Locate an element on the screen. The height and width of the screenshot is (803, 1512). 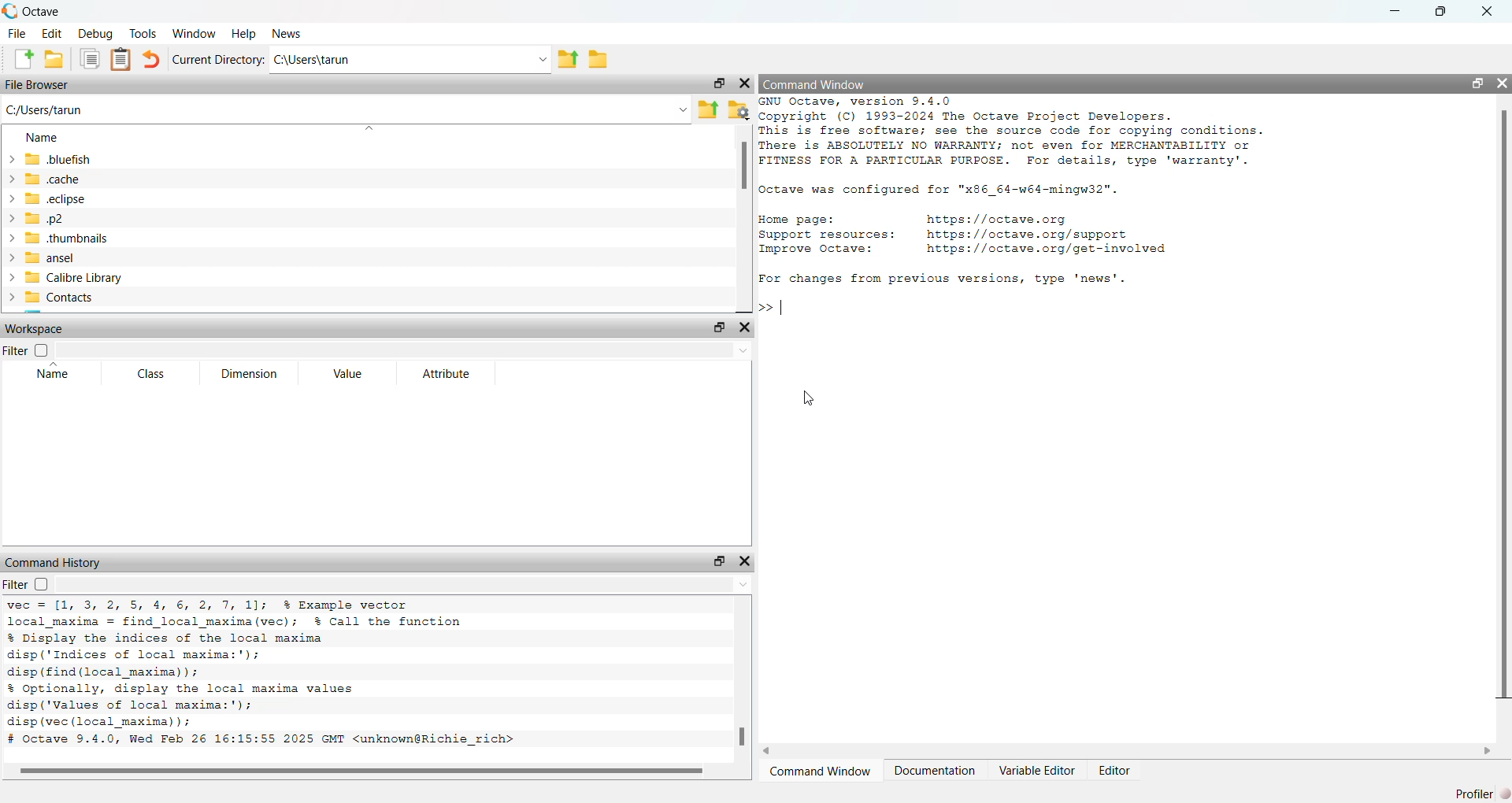
Workspace is located at coordinates (39, 328).